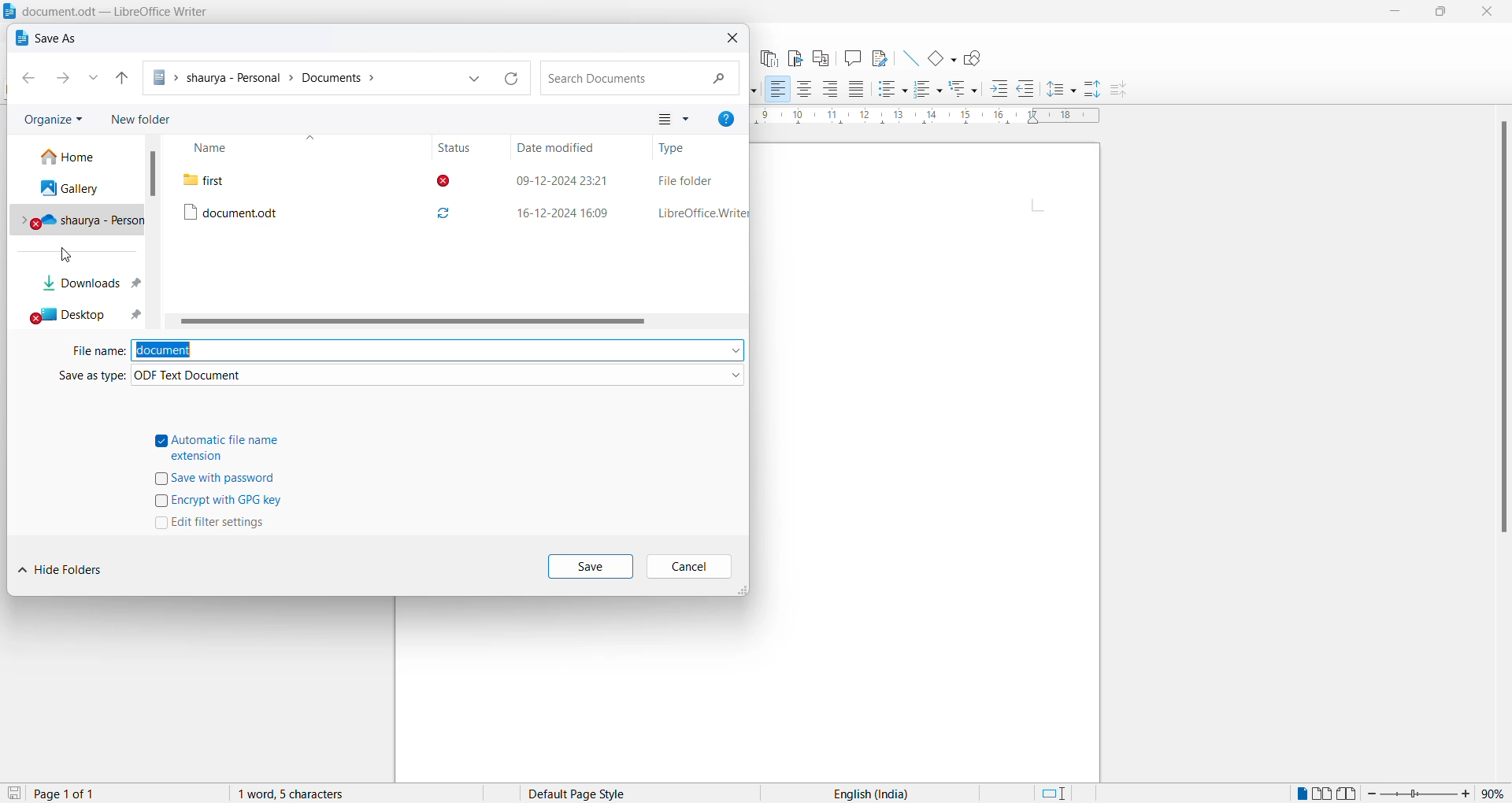  What do you see at coordinates (1123, 91) in the screenshot?
I see `Decrease paragraph space` at bounding box center [1123, 91].